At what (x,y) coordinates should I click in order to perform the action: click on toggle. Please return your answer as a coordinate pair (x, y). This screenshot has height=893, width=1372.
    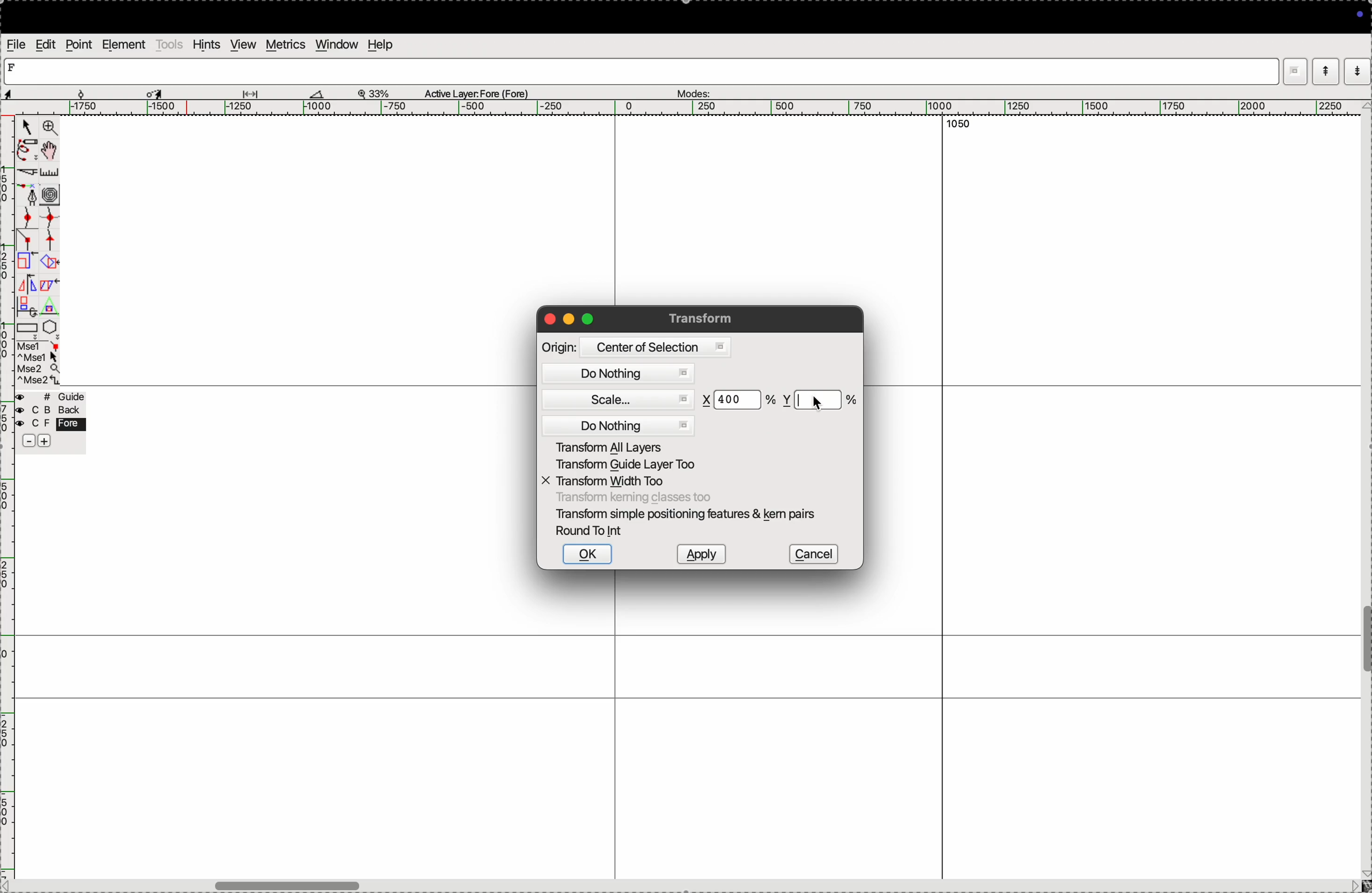
    Looking at the image, I should click on (51, 150).